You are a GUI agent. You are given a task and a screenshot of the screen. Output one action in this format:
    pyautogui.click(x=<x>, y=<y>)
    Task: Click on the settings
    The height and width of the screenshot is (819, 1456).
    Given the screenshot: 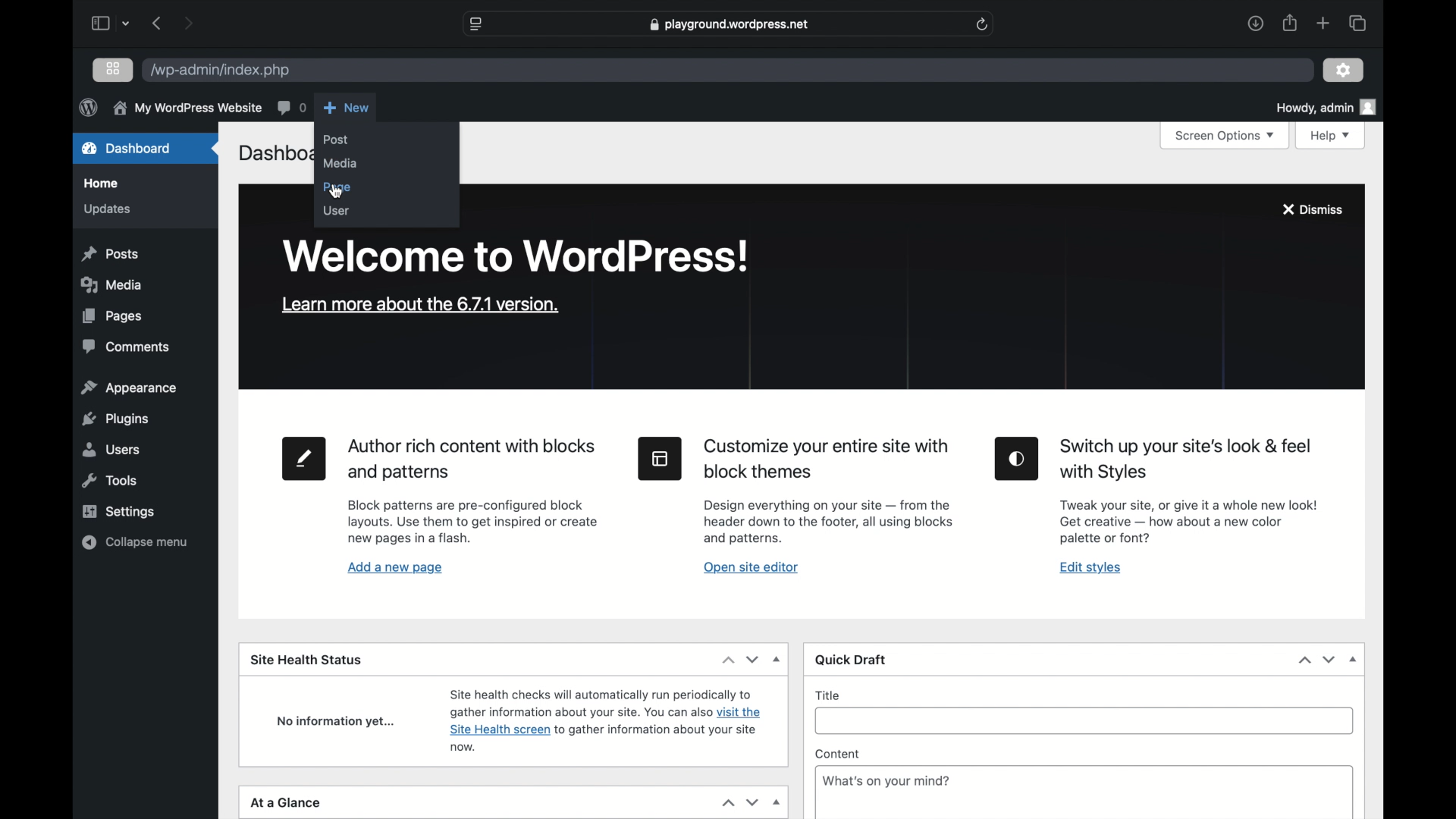 What is the action you would take?
    pyautogui.click(x=119, y=512)
    